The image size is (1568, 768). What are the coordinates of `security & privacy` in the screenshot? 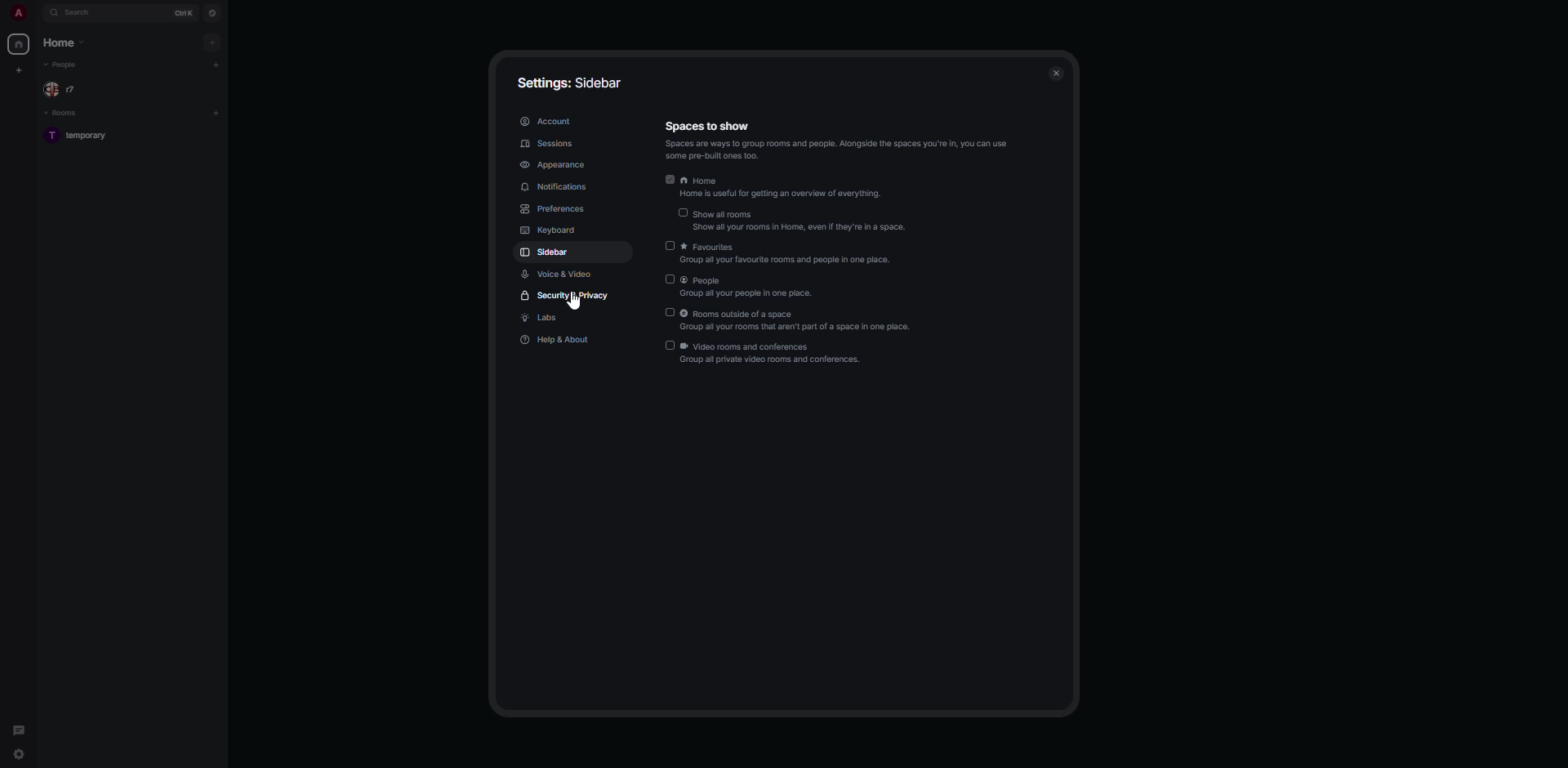 It's located at (568, 298).